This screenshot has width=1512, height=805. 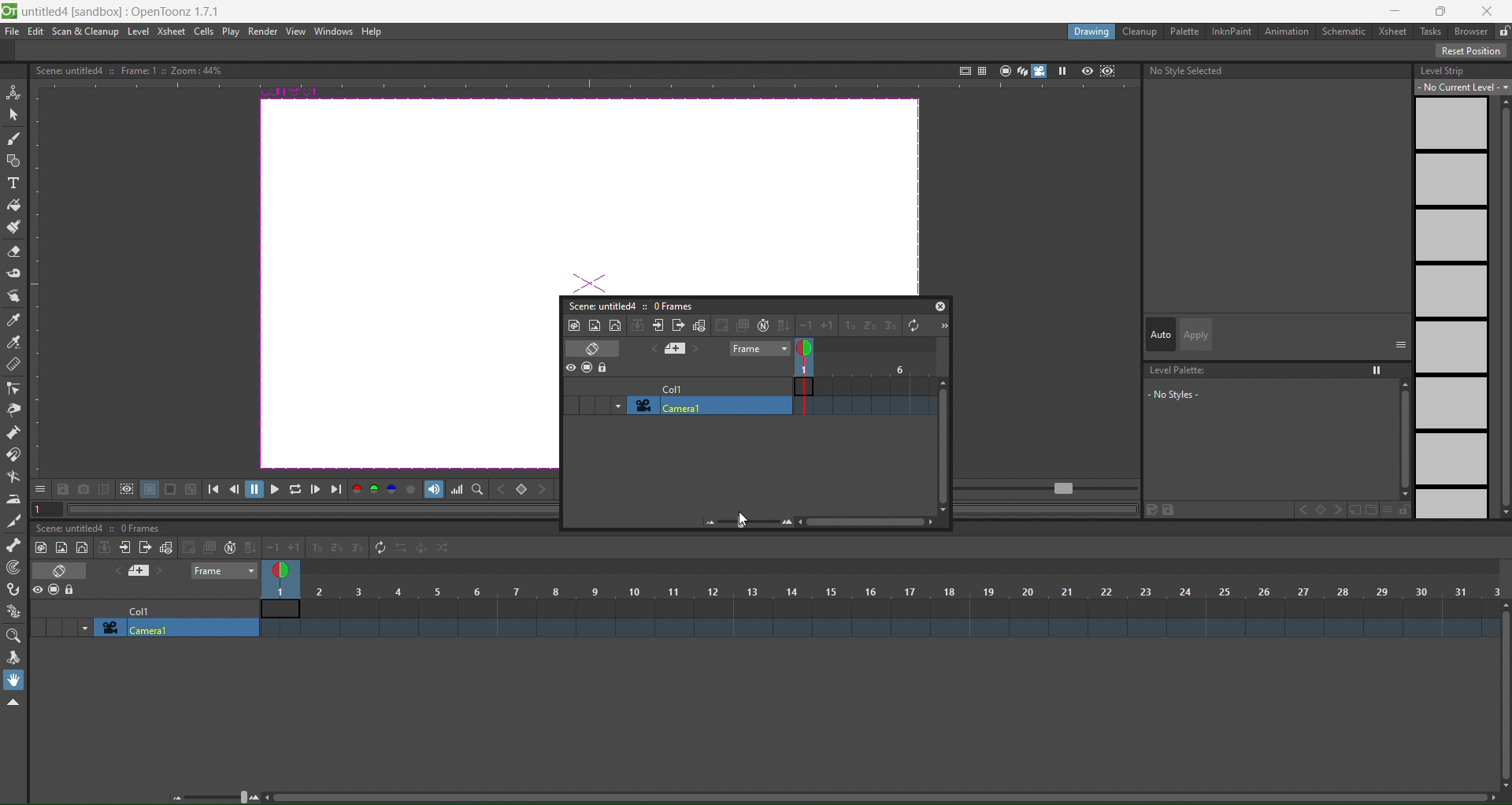 What do you see at coordinates (124, 547) in the screenshot?
I see `close sub xsheet` at bounding box center [124, 547].